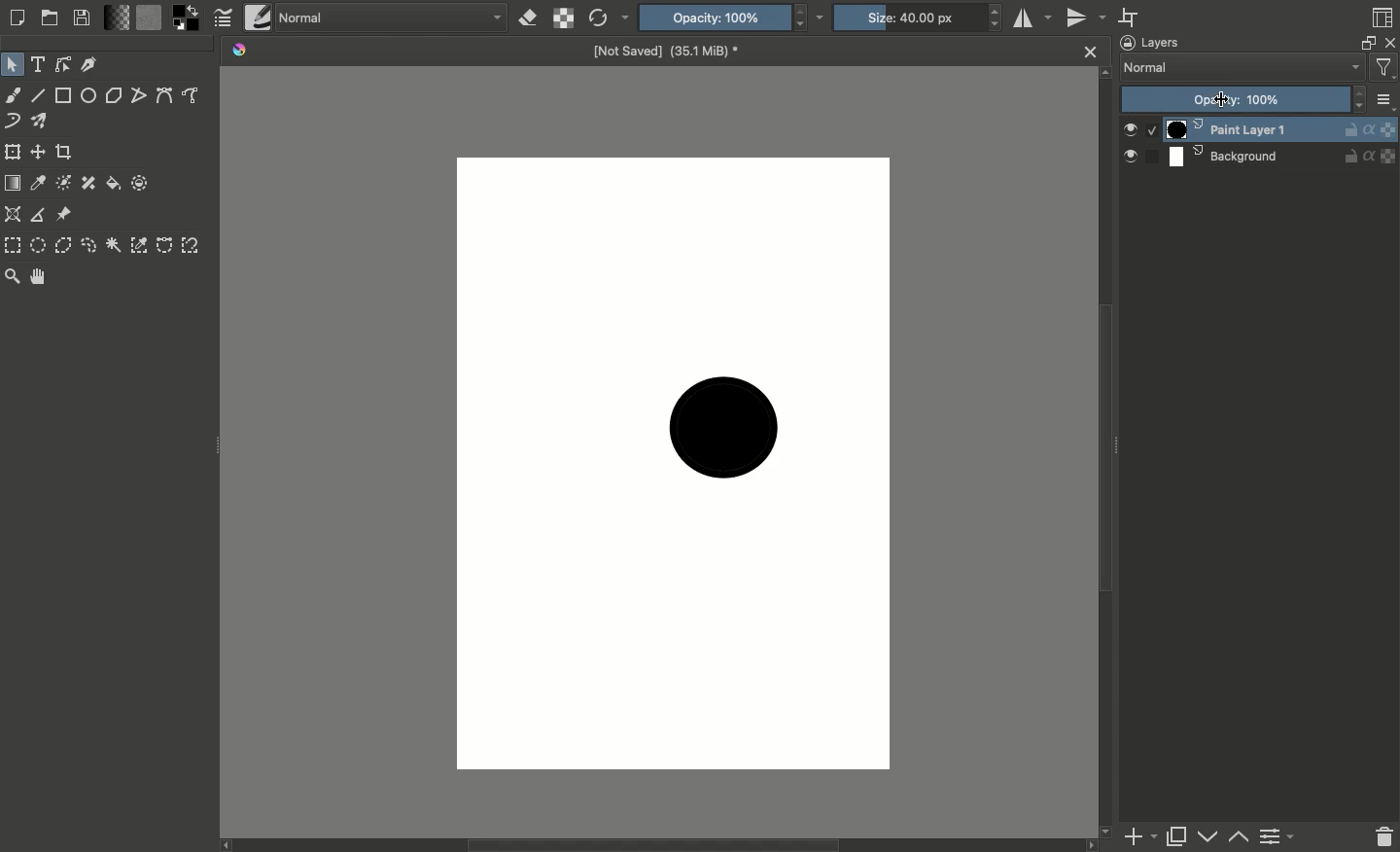 This screenshot has height=852, width=1400. What do you see at coordinates (1244, 100) in the screenshot?
I see `Opacity` at bounding box center [1244, 100].